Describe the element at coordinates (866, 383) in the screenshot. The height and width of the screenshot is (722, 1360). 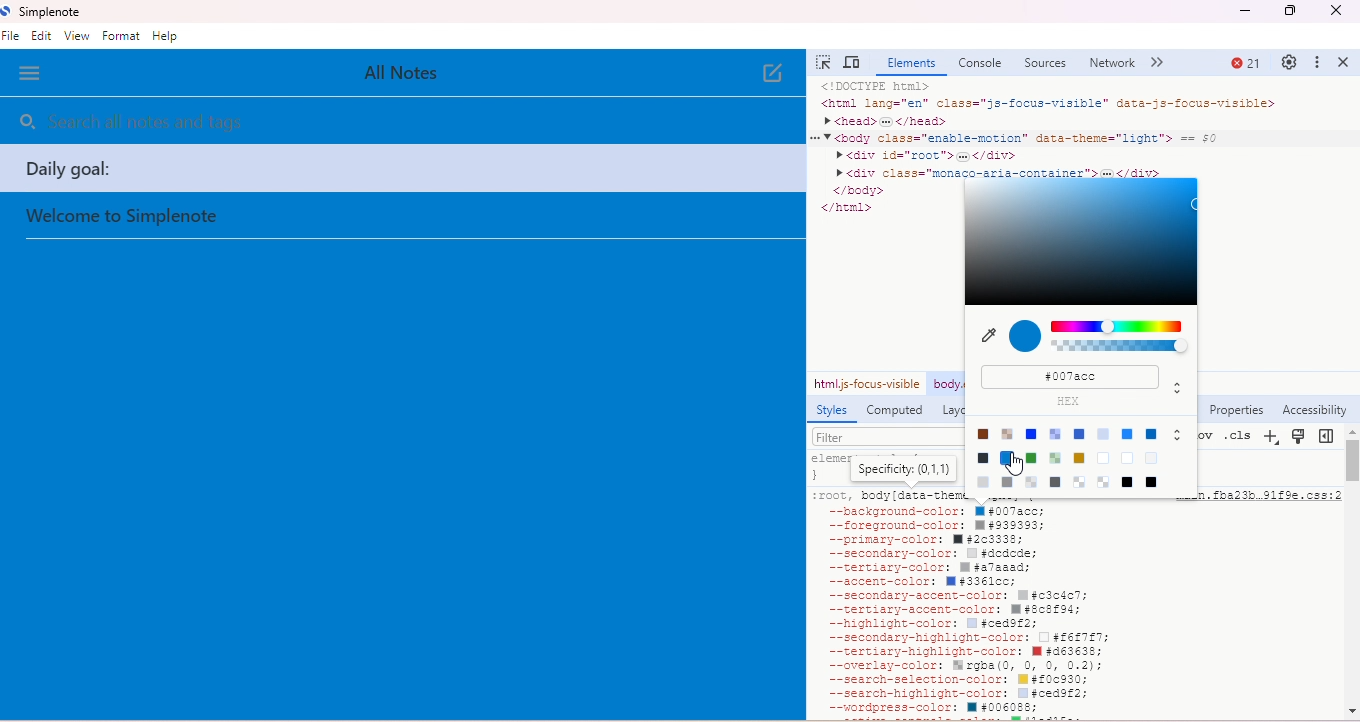
I see `html-js-focus-visible` at that location.